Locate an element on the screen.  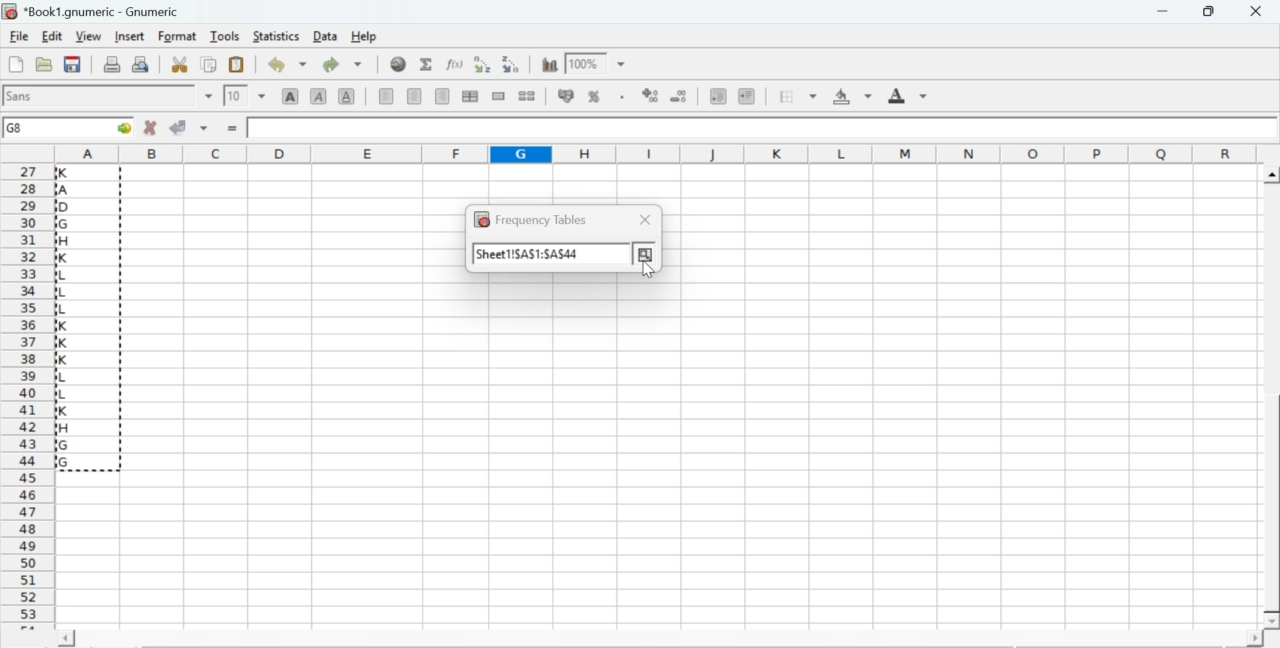
format selection as accounting is located at coordinates (566, 95).